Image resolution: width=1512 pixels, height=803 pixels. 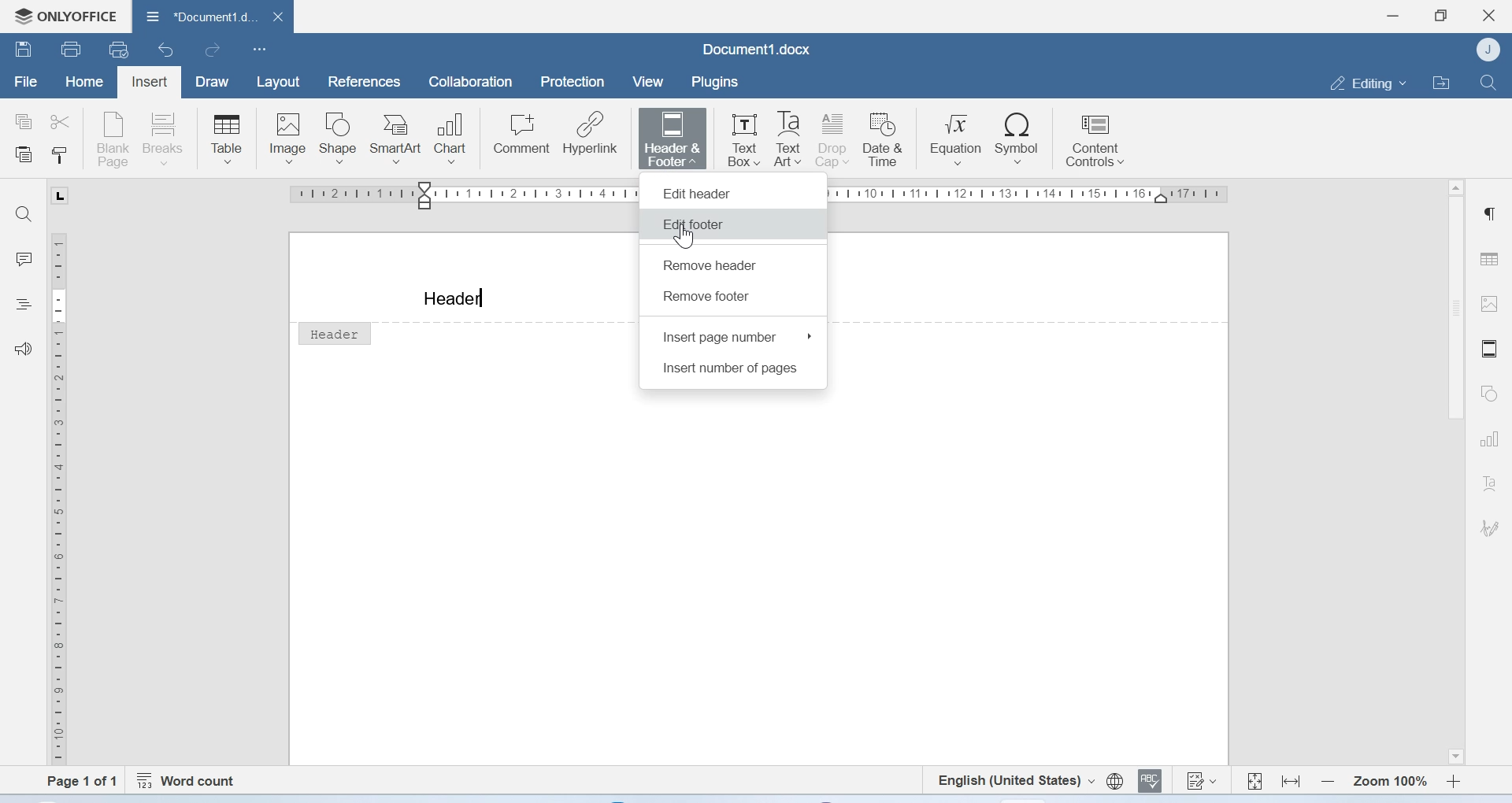 What do you see at coordinates (712, 267) in the screenshot?
I see `Remove header` at bounding box center [712, 267].